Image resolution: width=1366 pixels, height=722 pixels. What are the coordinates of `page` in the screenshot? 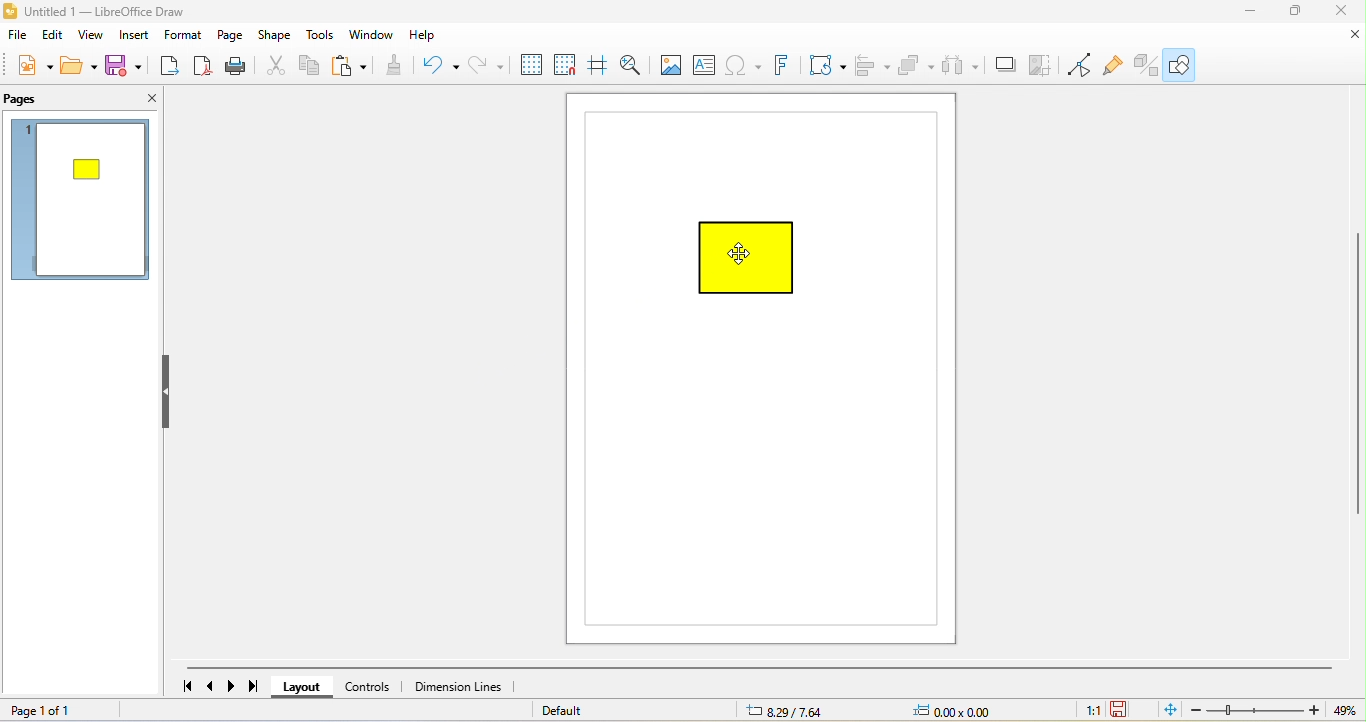 It's located at (233, 37).